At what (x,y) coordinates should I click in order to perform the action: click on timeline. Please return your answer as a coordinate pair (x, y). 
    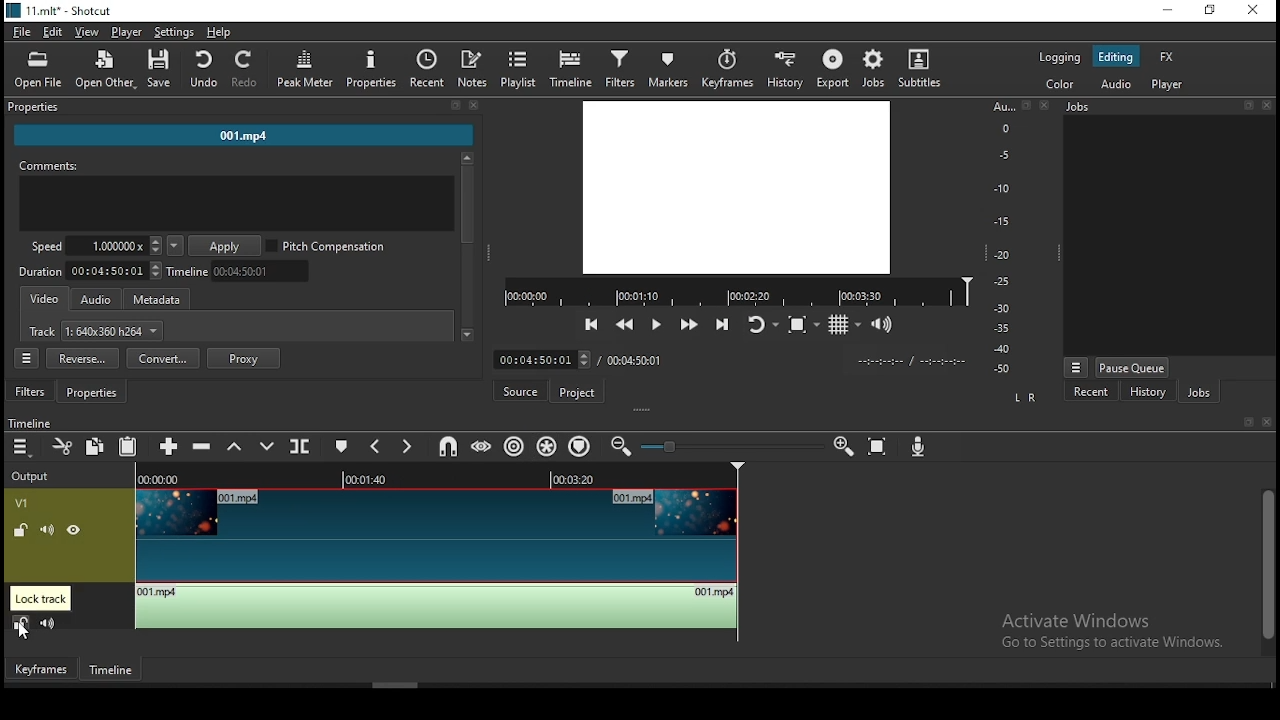
    Looking at the image, I should click on (572, 67).